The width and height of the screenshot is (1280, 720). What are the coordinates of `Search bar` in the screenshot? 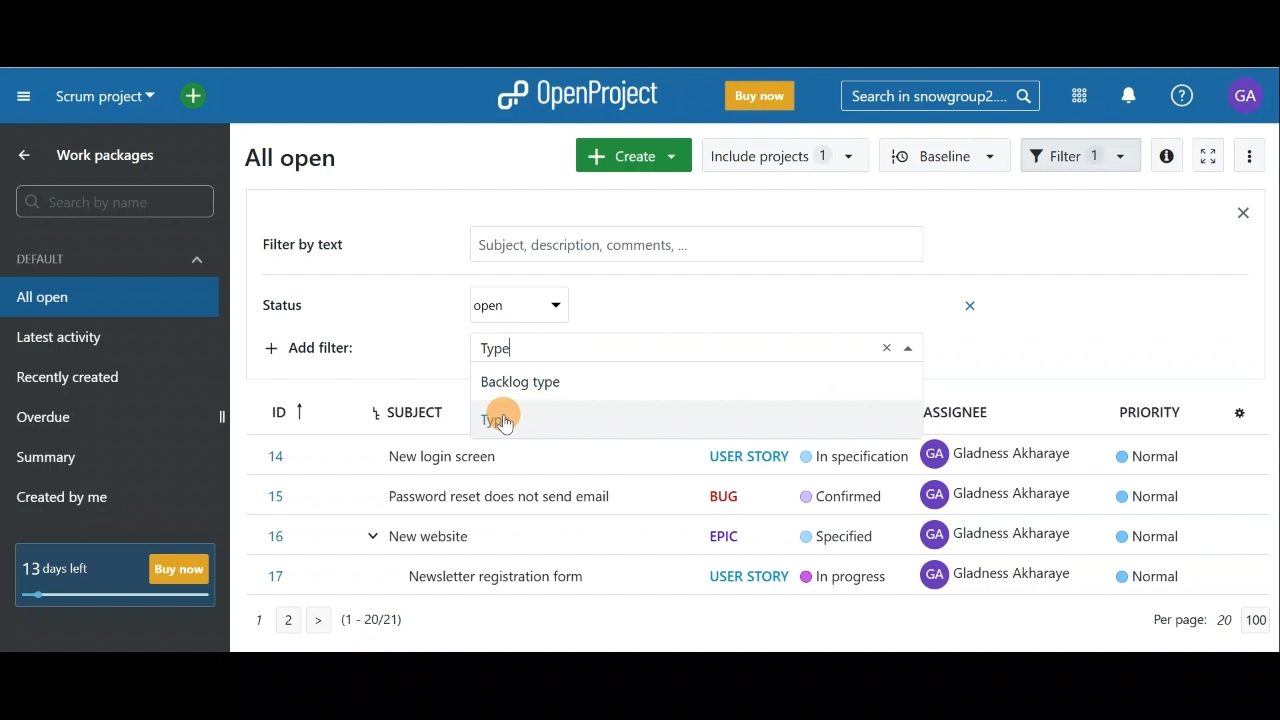 It's located at (940, 94).